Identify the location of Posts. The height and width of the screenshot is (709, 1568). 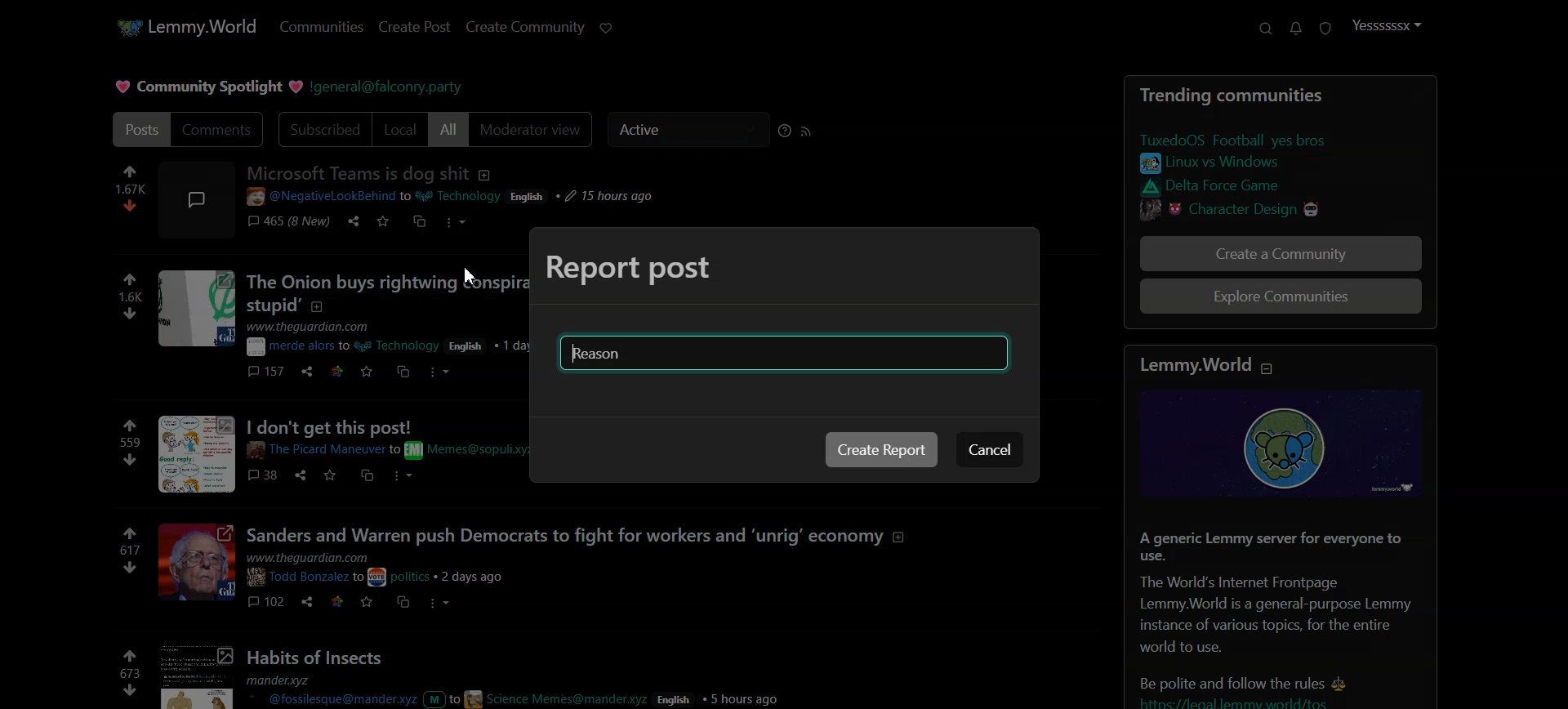
(666, 676).